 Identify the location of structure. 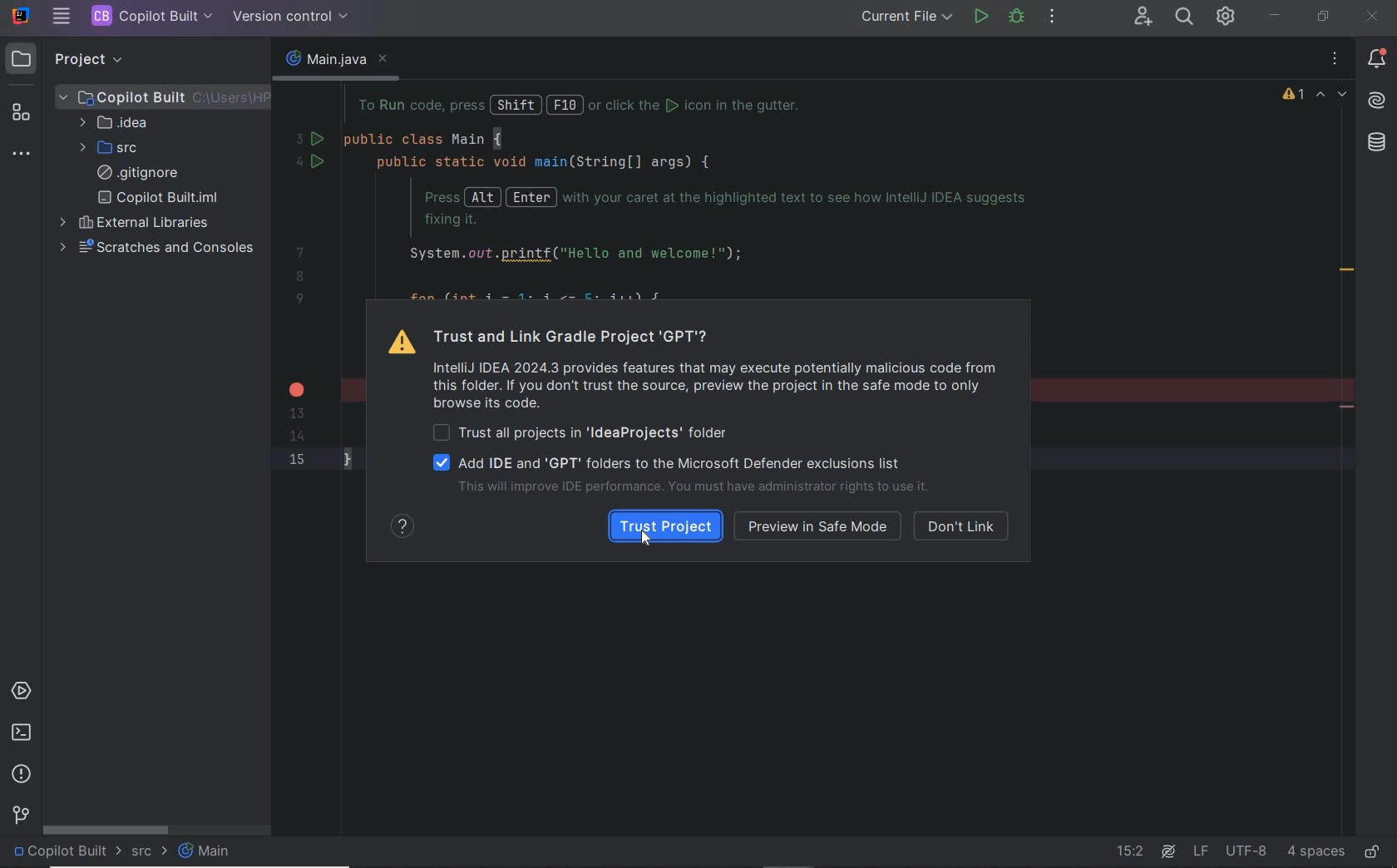
(23, 116).